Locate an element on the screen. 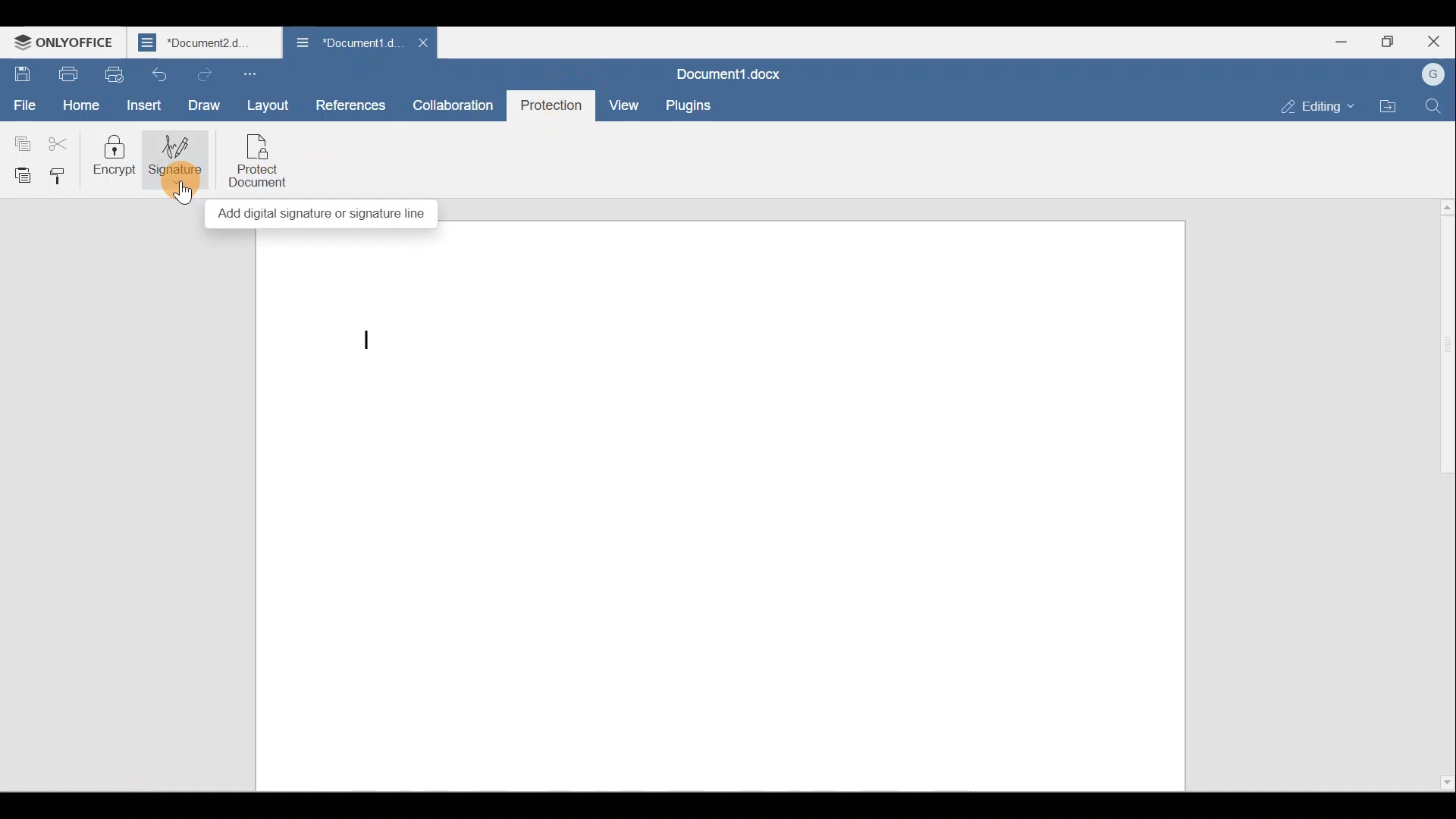 The image size is (1456, 819). Close is located at coordinates (1433, 42).